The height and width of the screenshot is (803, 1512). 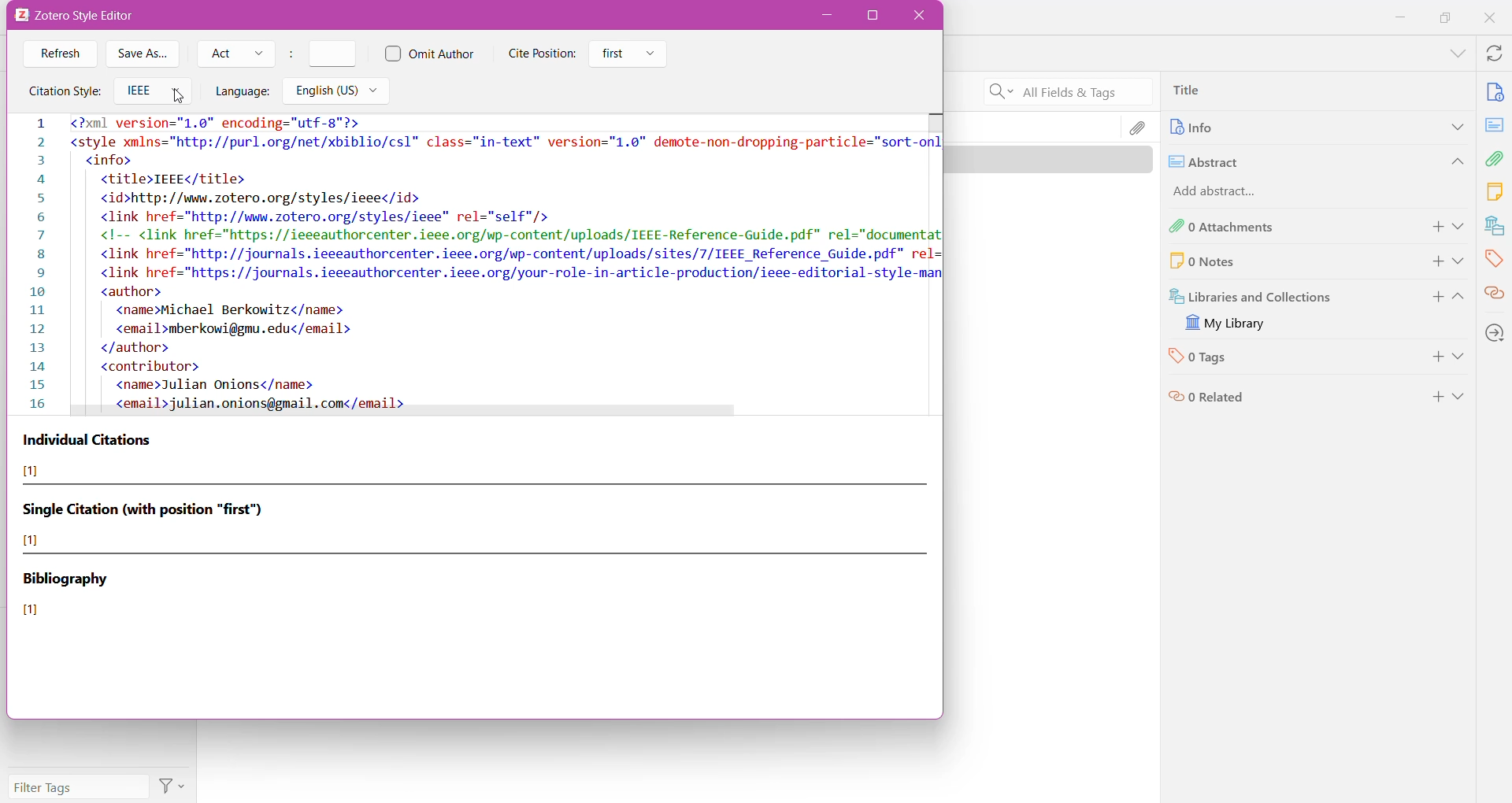 What do you see at coordinates (430, 54) in the screenshot?
I see `Omit Author - enable/disable` at bounding box center [430, 54].